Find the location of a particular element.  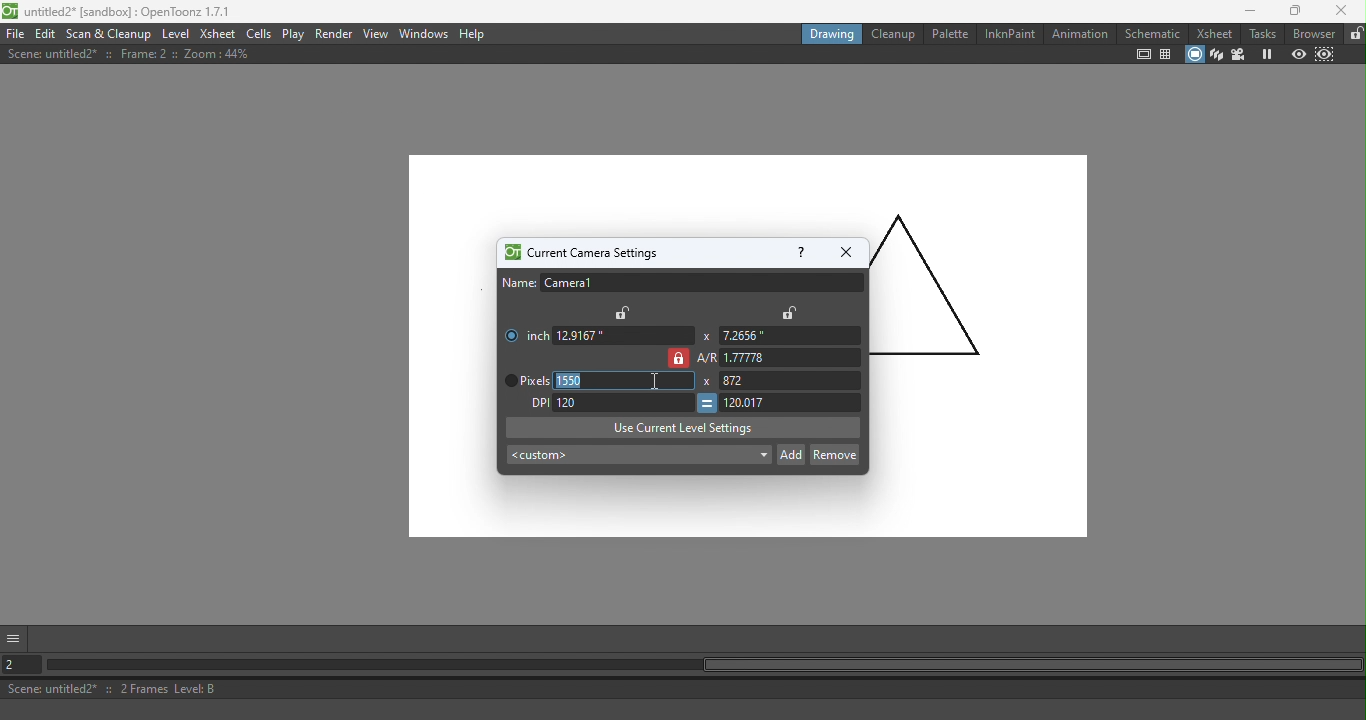

Browser is located at coordinates (1314, 33).